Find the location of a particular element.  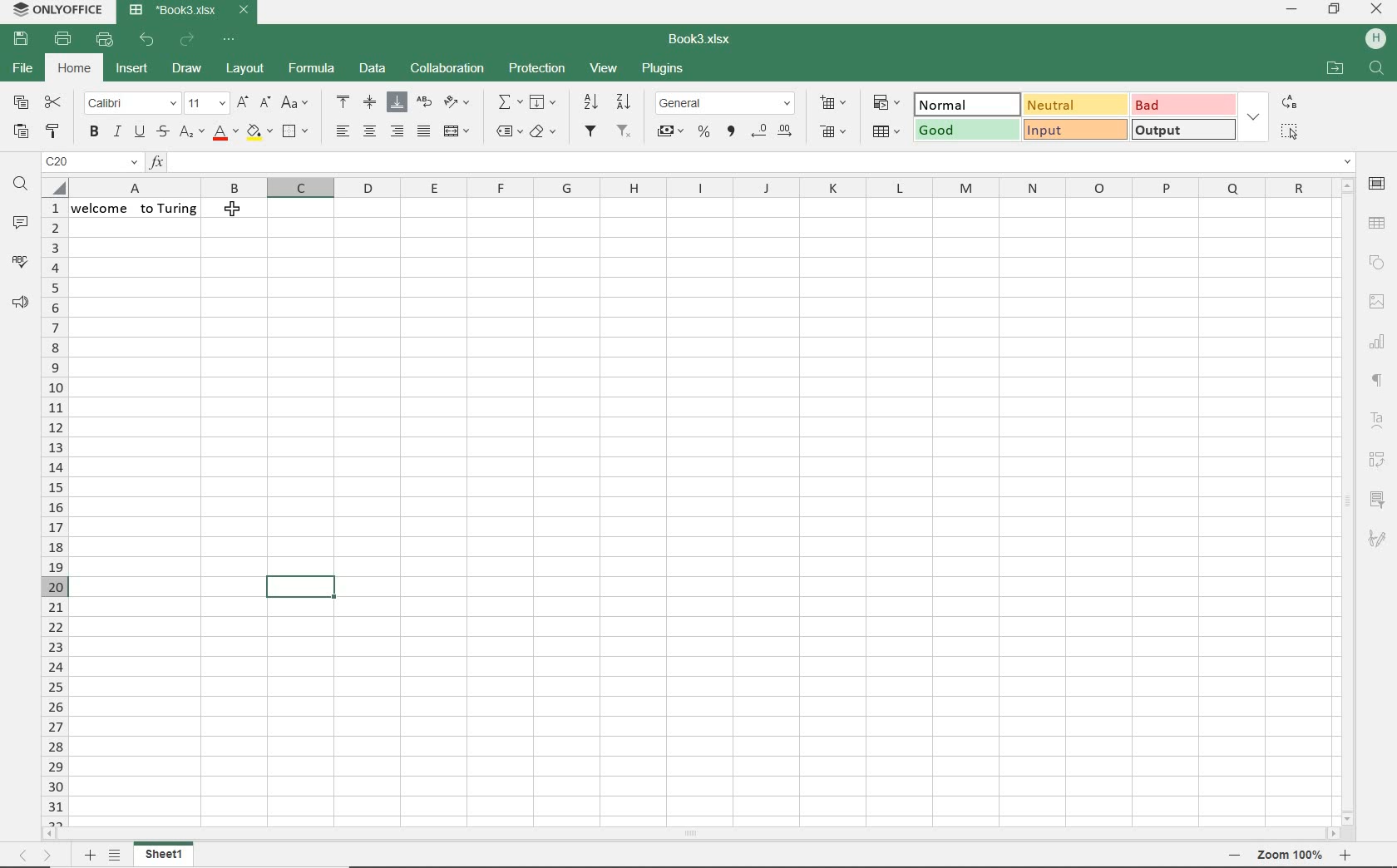

fill is located at coordinates (542, 103).